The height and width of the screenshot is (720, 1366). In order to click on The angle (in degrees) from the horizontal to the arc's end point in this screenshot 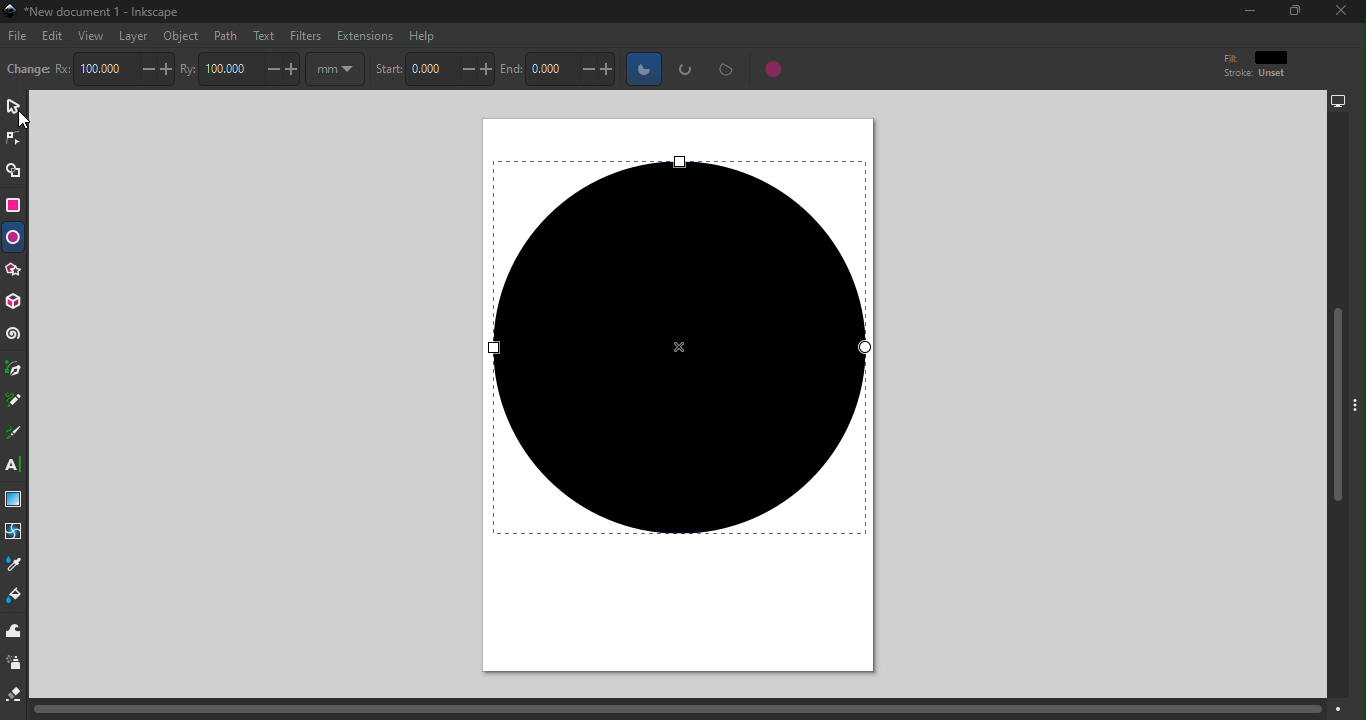, I will do `click(572, 69)`.